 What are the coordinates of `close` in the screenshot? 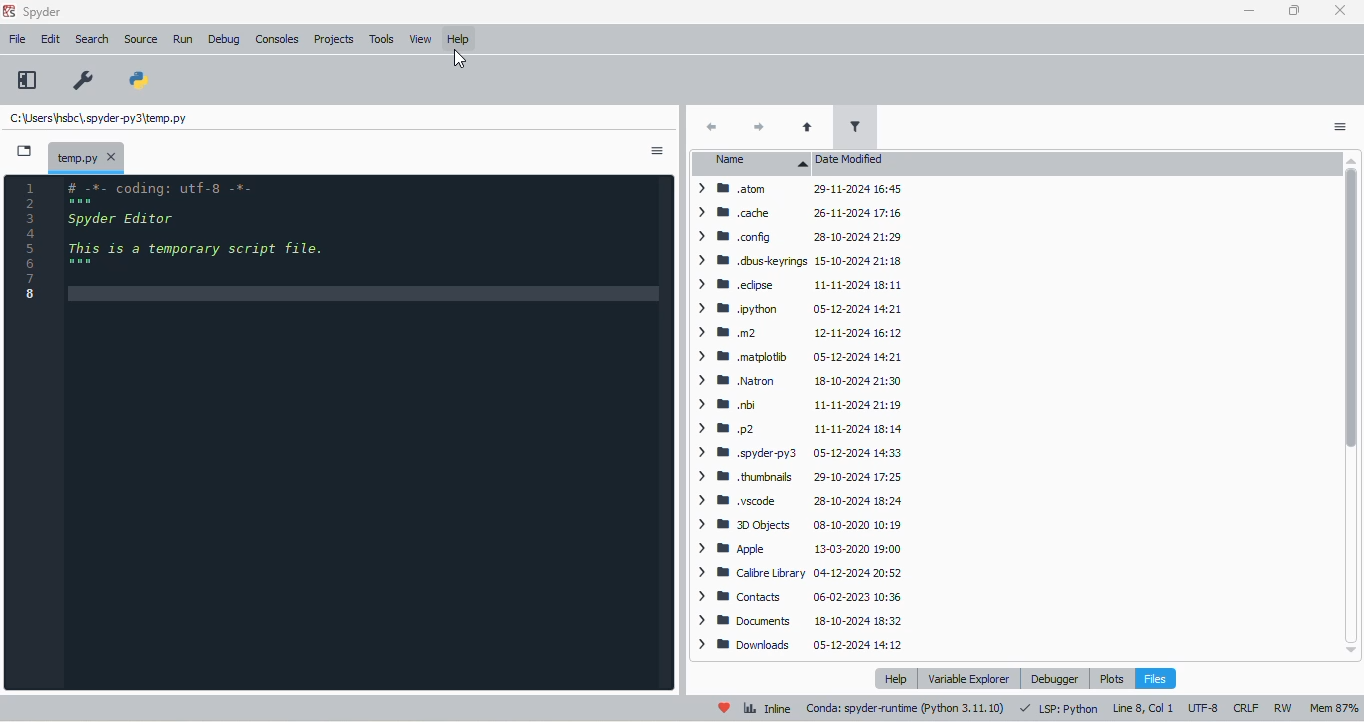 It's located at (112, 159).